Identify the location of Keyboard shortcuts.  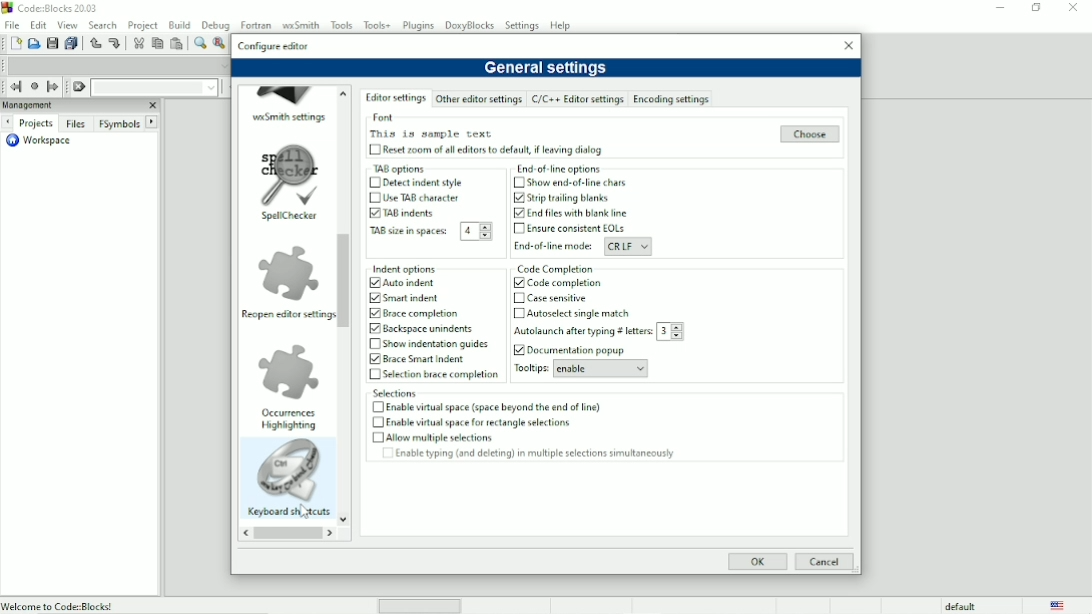
(288, 513).